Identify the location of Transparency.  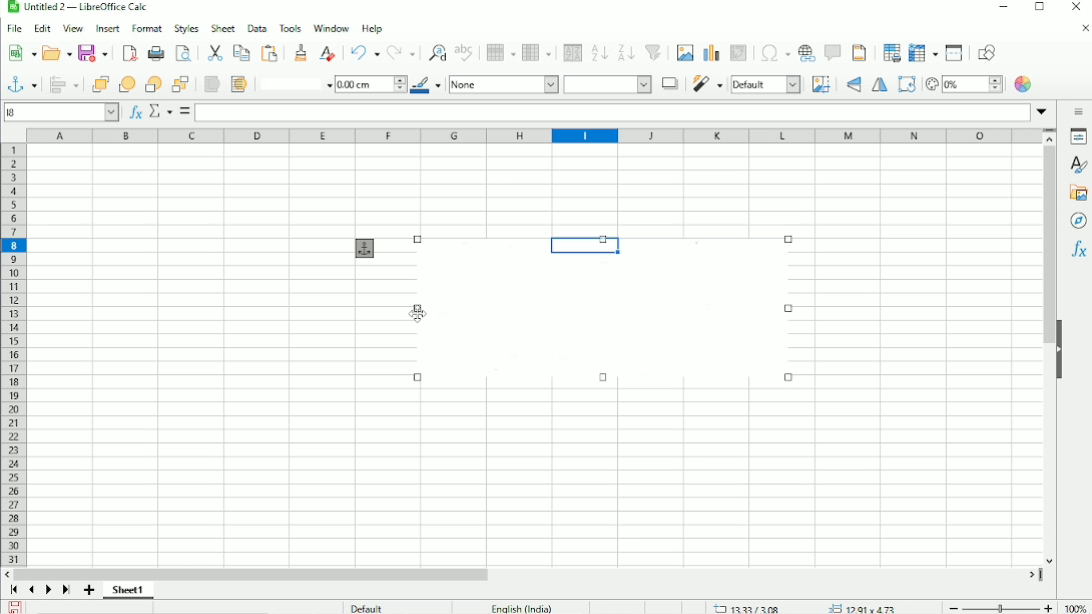
(963, 84).